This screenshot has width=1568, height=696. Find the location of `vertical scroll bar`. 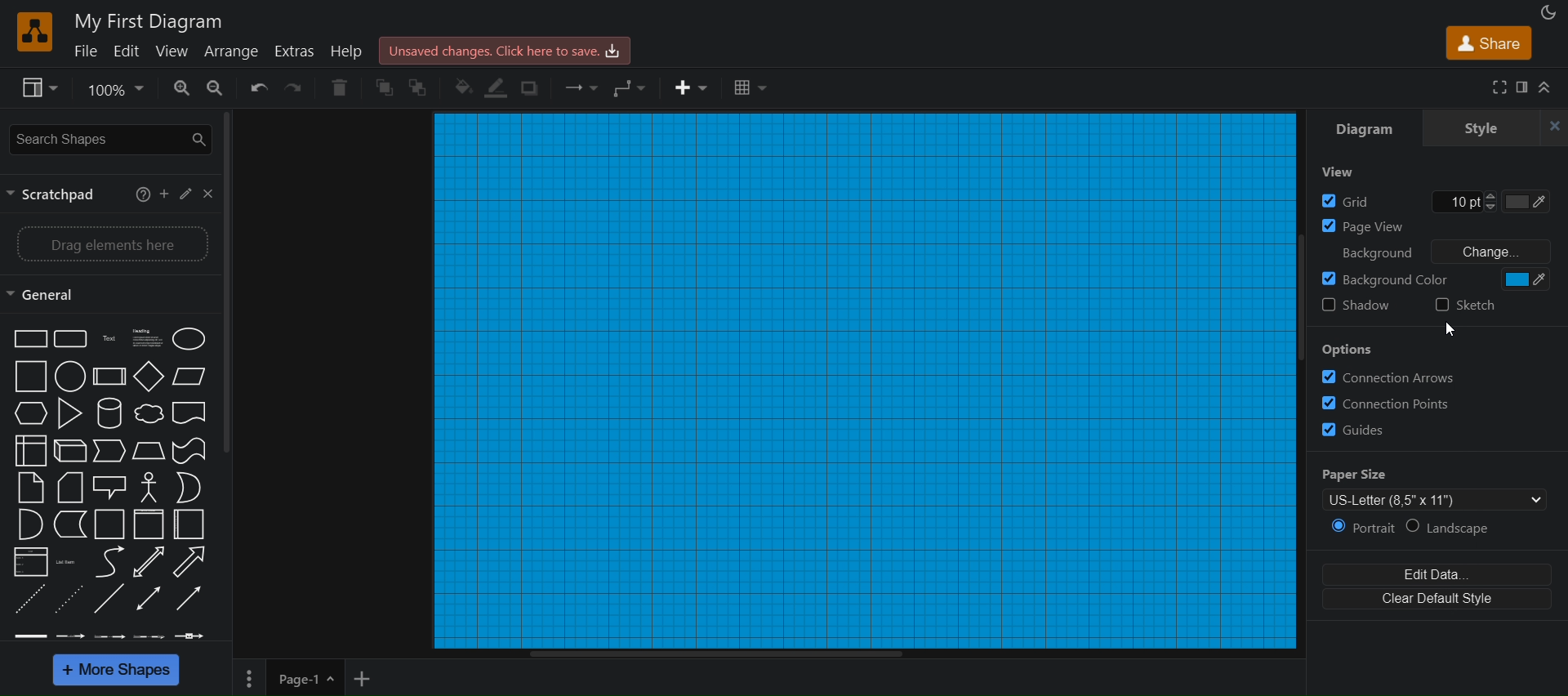

vertical scroll bar is located at coordinates (229, 286).